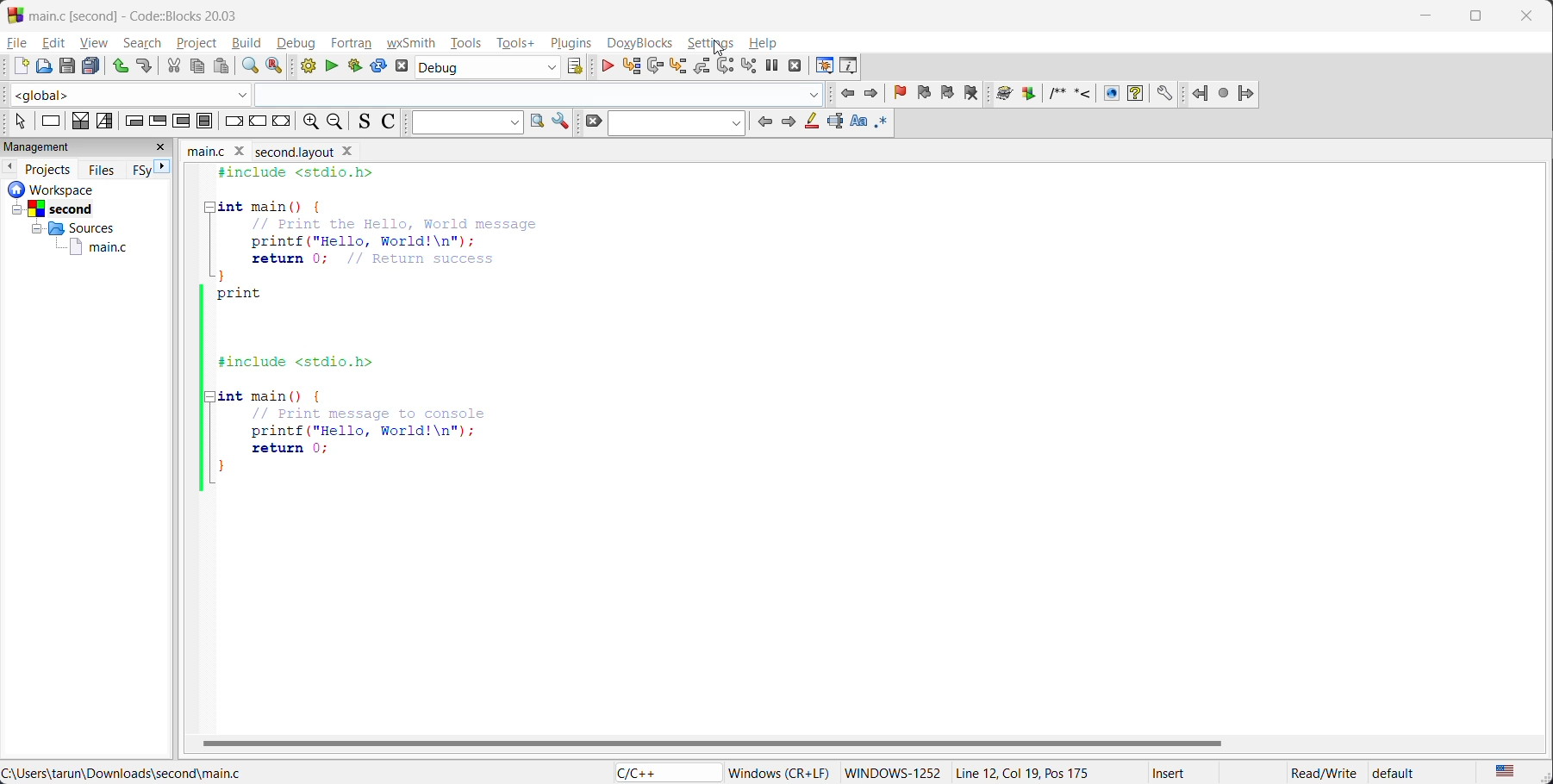 The height and width of the screenshot is (784, 1553). What do you see at coordinates (656, 65) in the screenshot?
I see `next line` at bounding box center [656, 65].